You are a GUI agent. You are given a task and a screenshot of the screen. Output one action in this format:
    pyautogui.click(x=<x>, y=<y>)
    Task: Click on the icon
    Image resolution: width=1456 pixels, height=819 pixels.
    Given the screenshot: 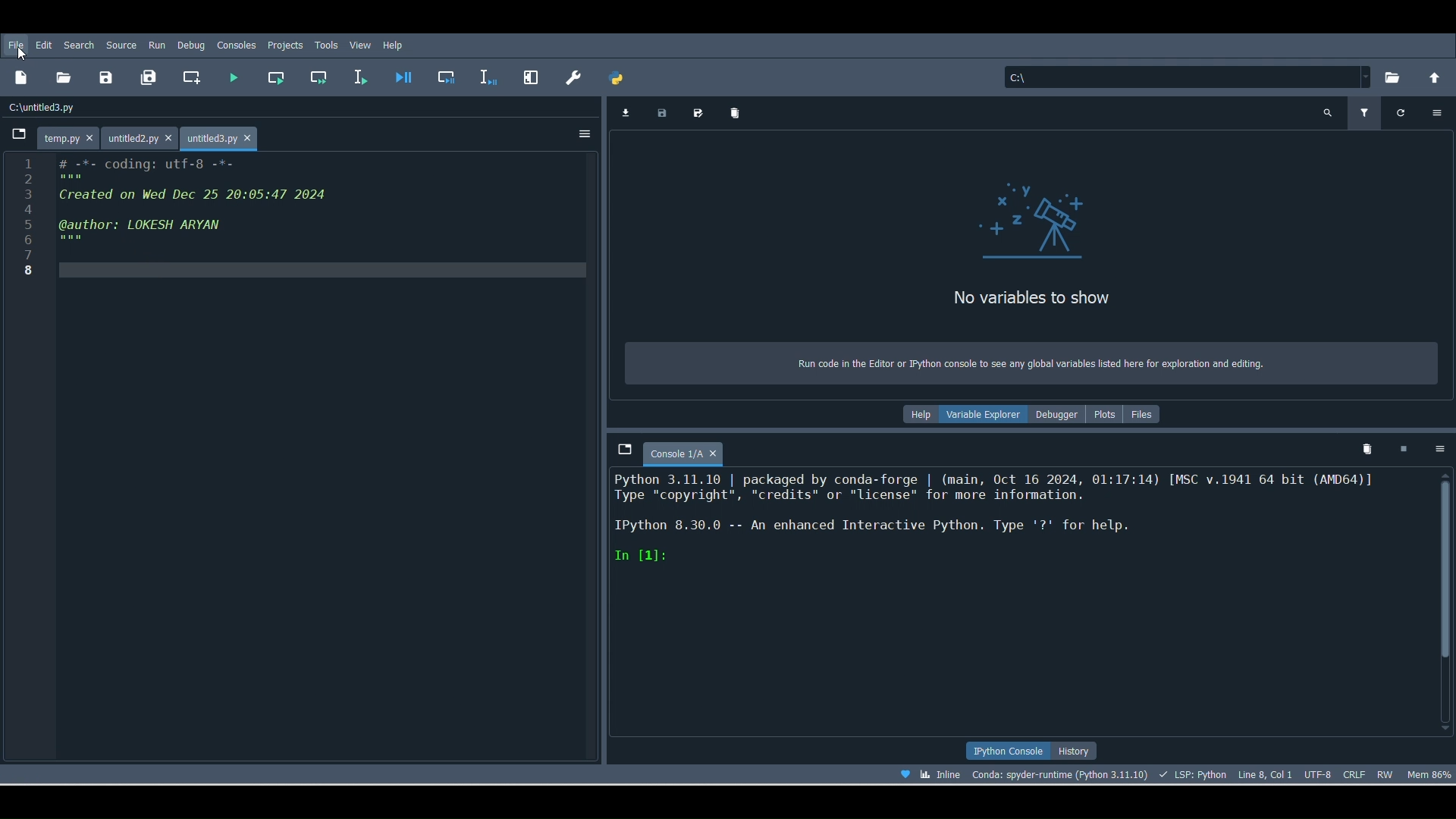 What is the action you would take?
    pyautogui.click(x=1017, y=218)
    